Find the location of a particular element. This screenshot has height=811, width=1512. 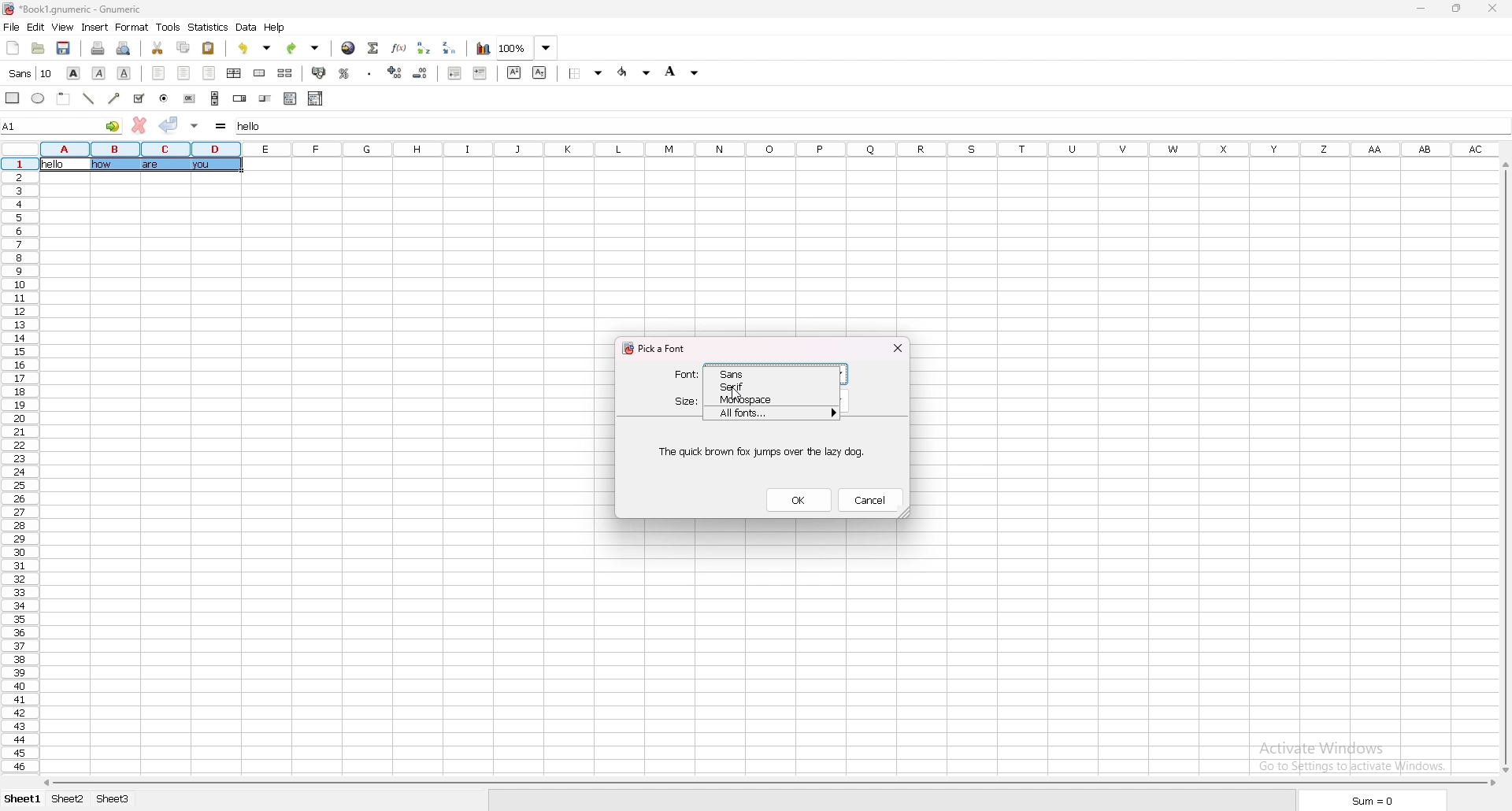

serif is located at coordinates (760, 386).